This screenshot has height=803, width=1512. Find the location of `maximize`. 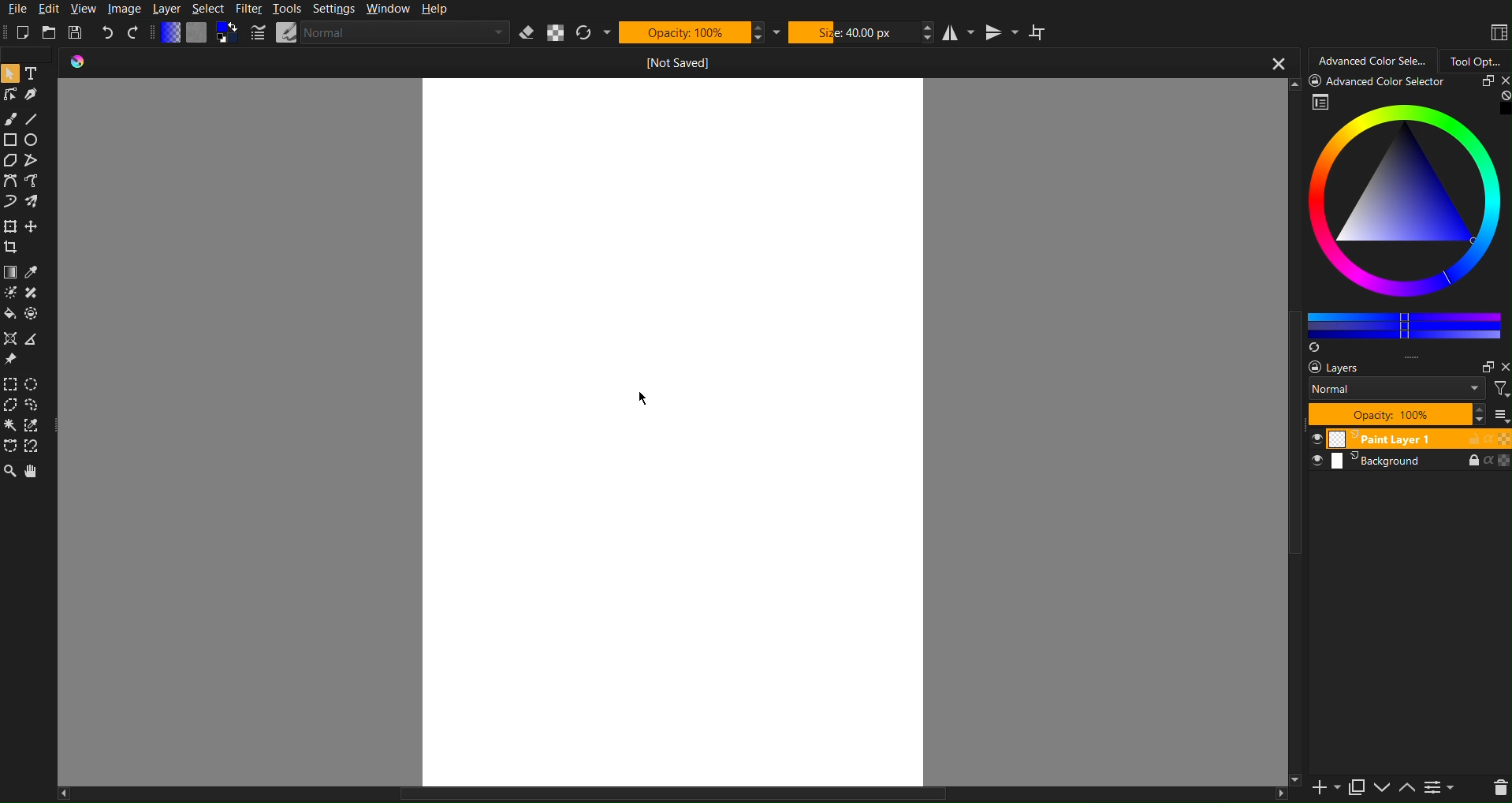

maximize is located at coordinates (1483, 364).